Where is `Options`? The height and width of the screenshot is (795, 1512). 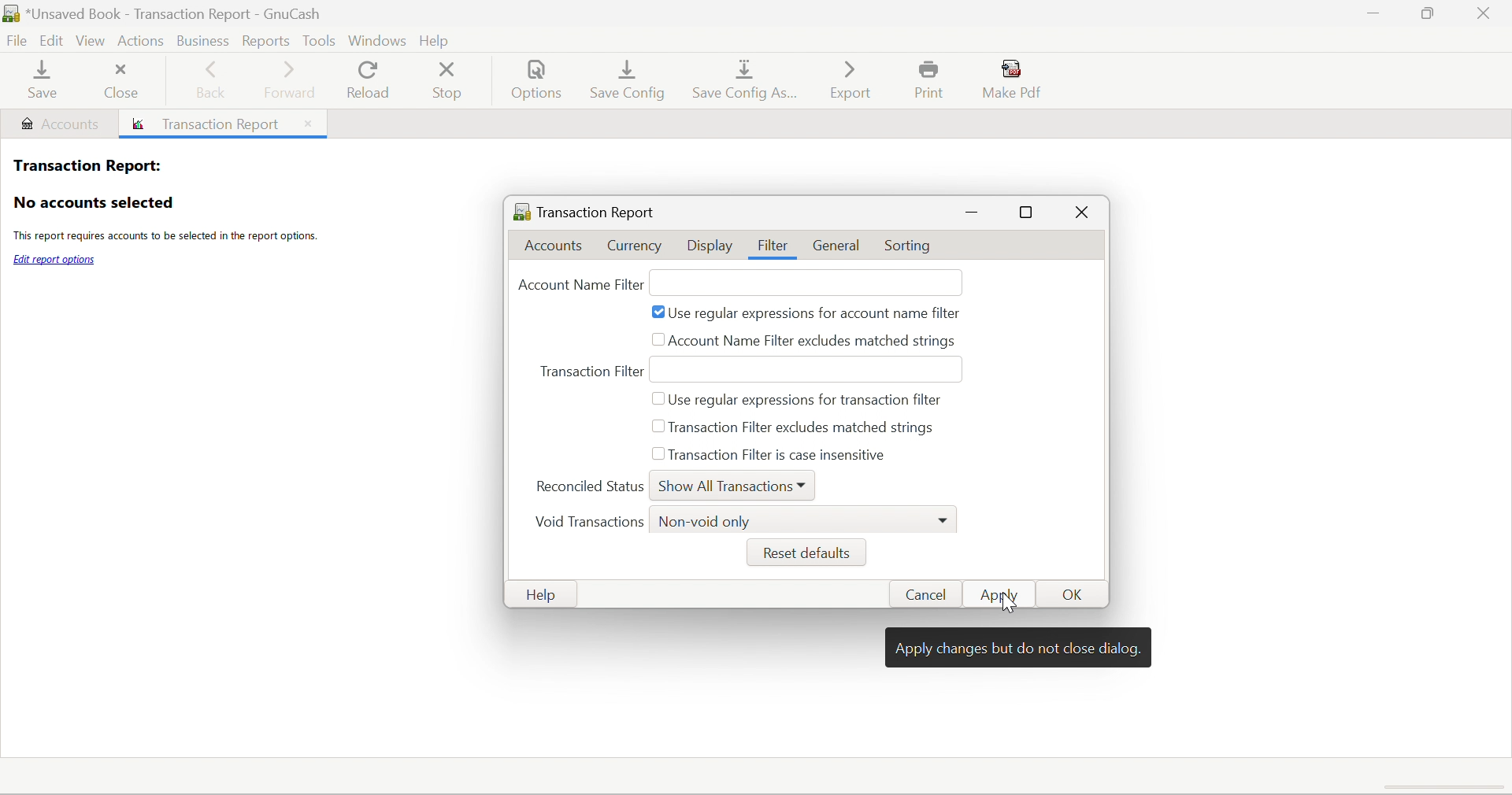
Options is located at coordinates (539, 83).